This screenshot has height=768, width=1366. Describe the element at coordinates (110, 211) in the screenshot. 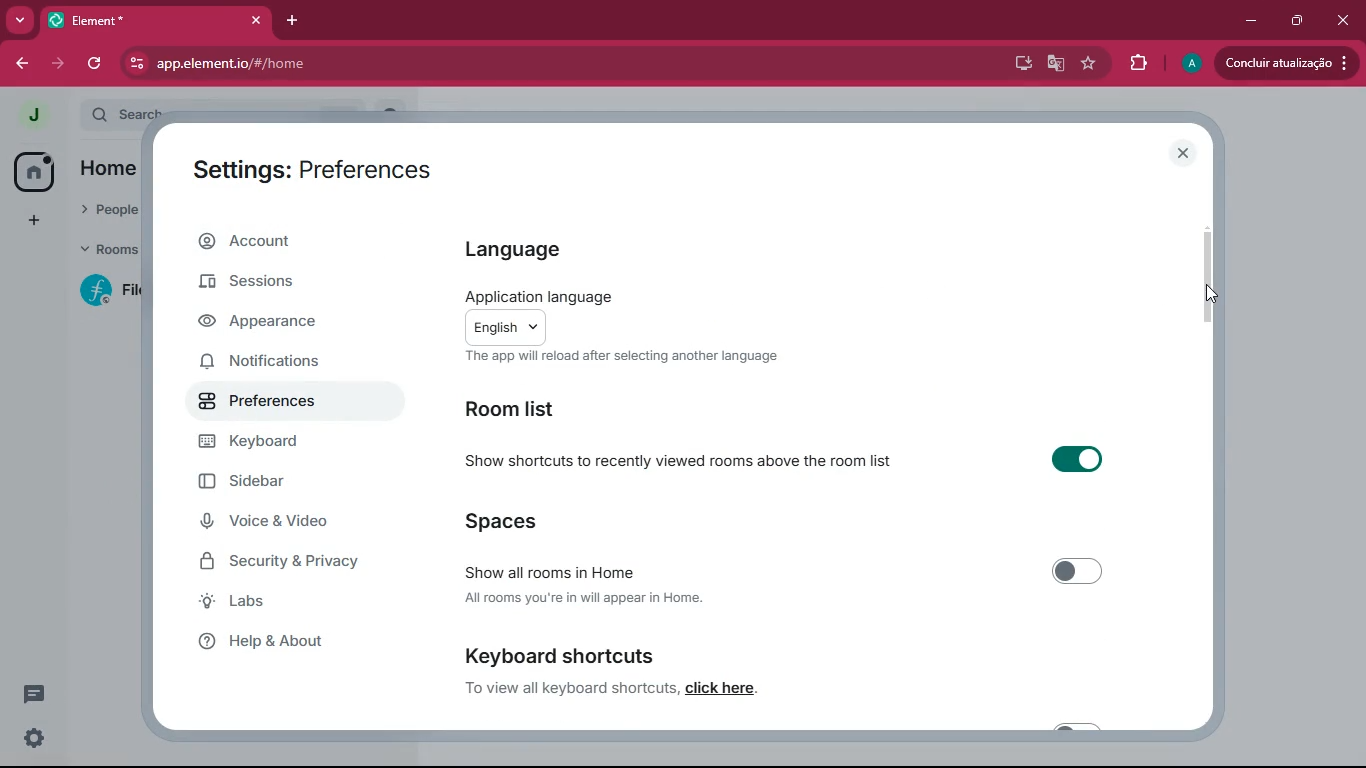

I see `people` at that location.